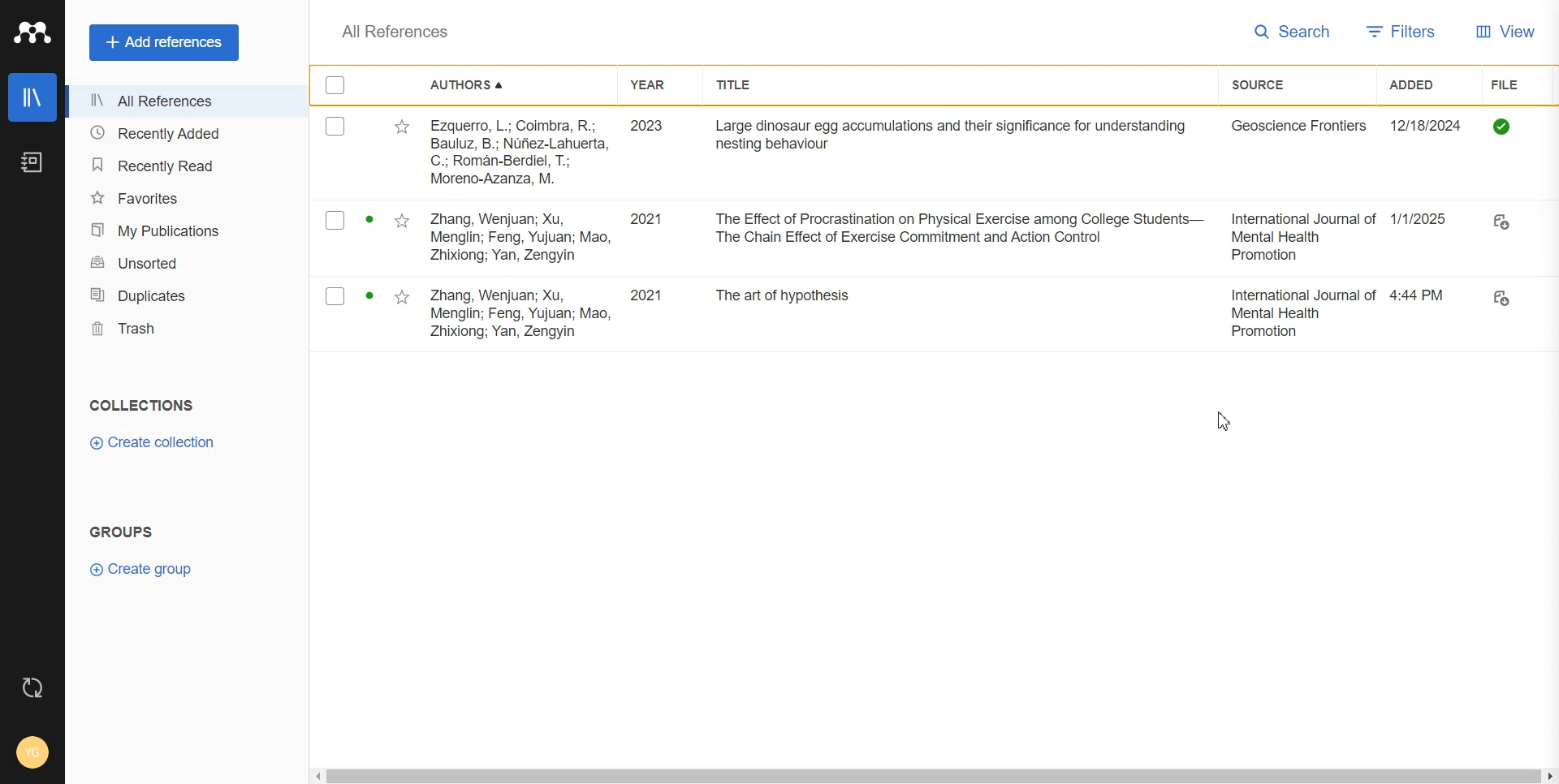 Image resolution: width=1559 pixels, height=784 pixels. I want to click on Account, so click(33, 752).